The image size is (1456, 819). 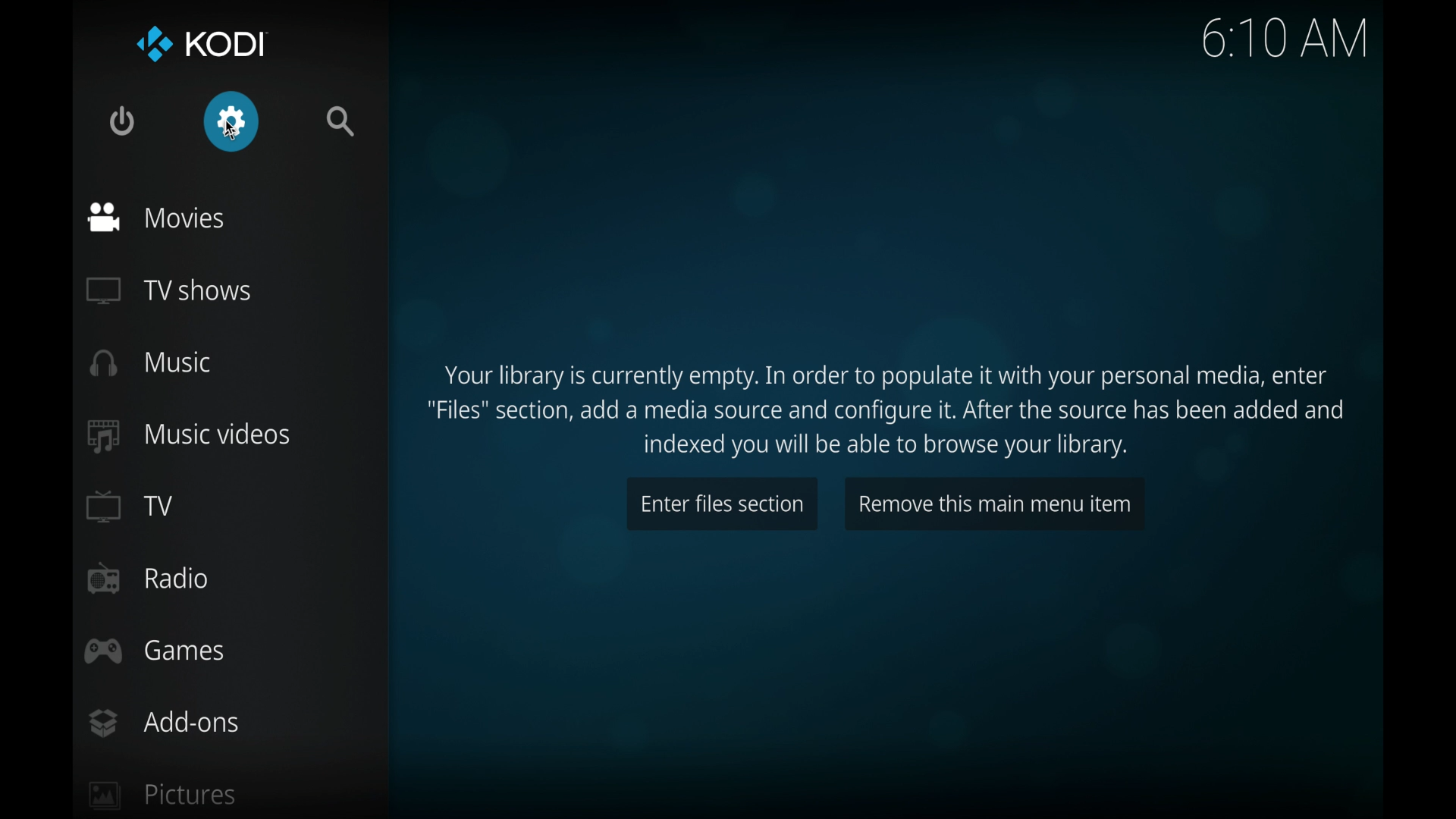 What do you see at coordinates (1285, 37) in the screenshot?
I see `time` at bounding box center [1285, 37].